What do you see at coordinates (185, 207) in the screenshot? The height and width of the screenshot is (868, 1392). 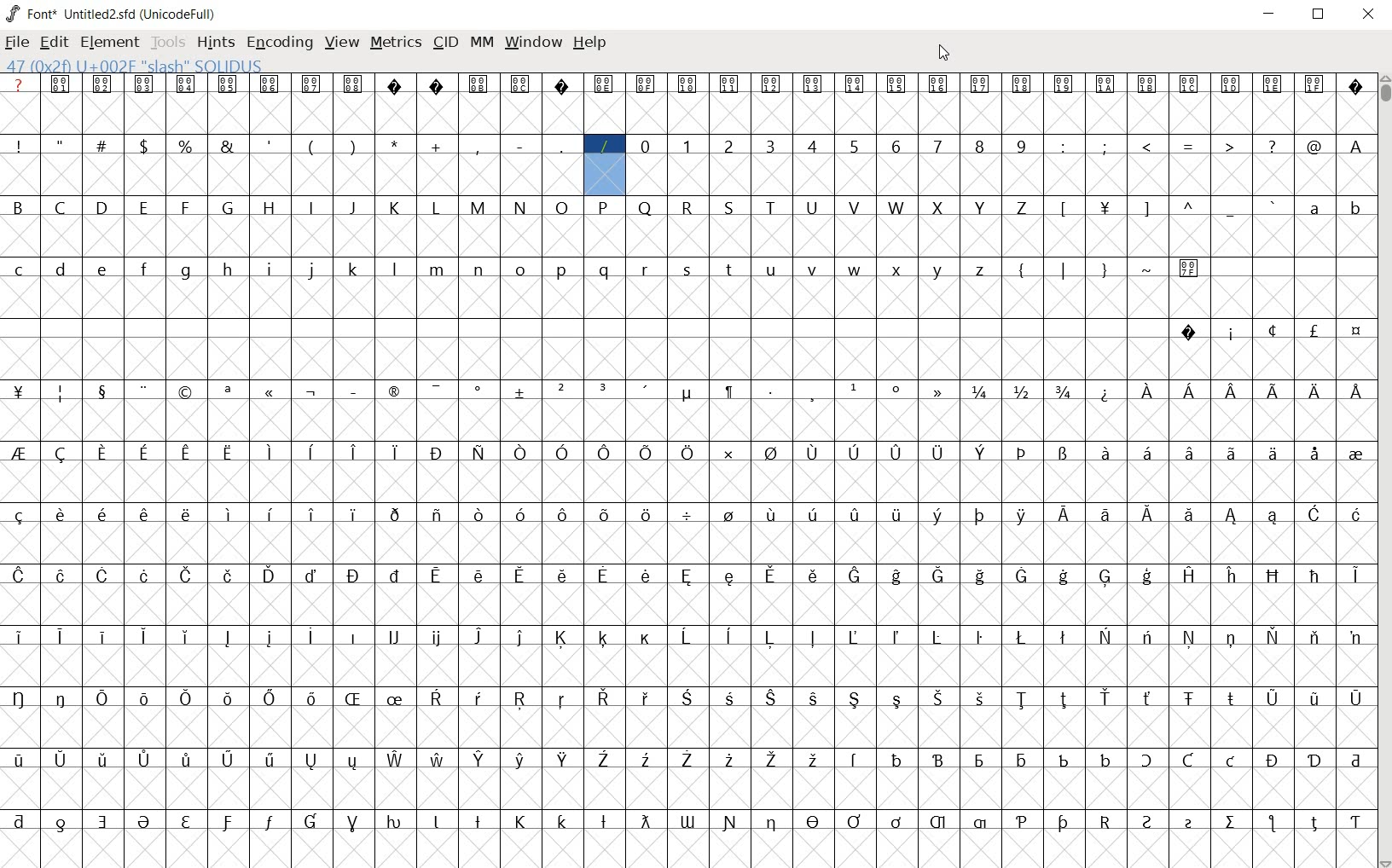 I see `glyph` at bounding box center [185, 207].